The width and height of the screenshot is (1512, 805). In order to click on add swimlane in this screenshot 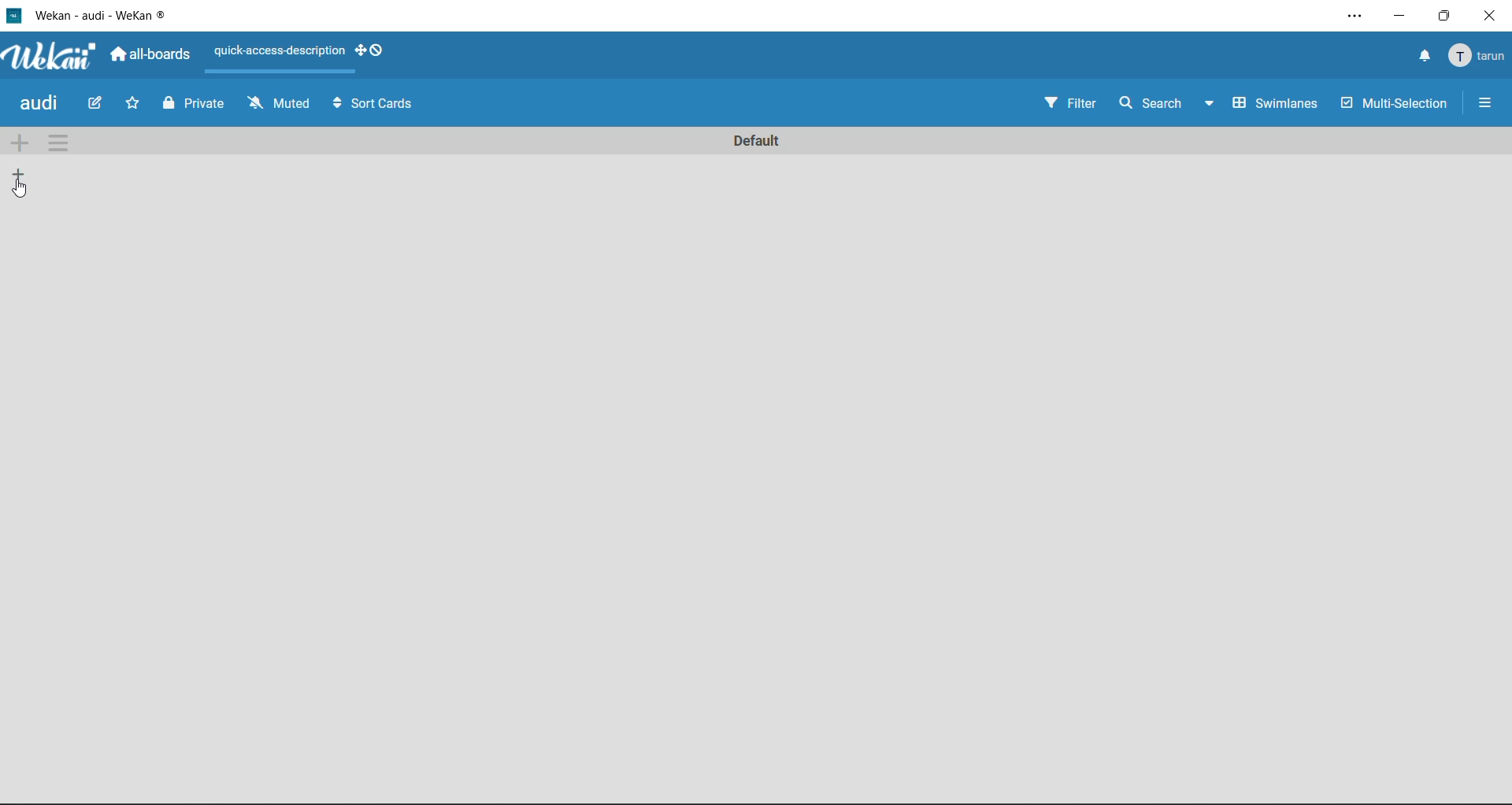, I will do `click(18, 143)`.